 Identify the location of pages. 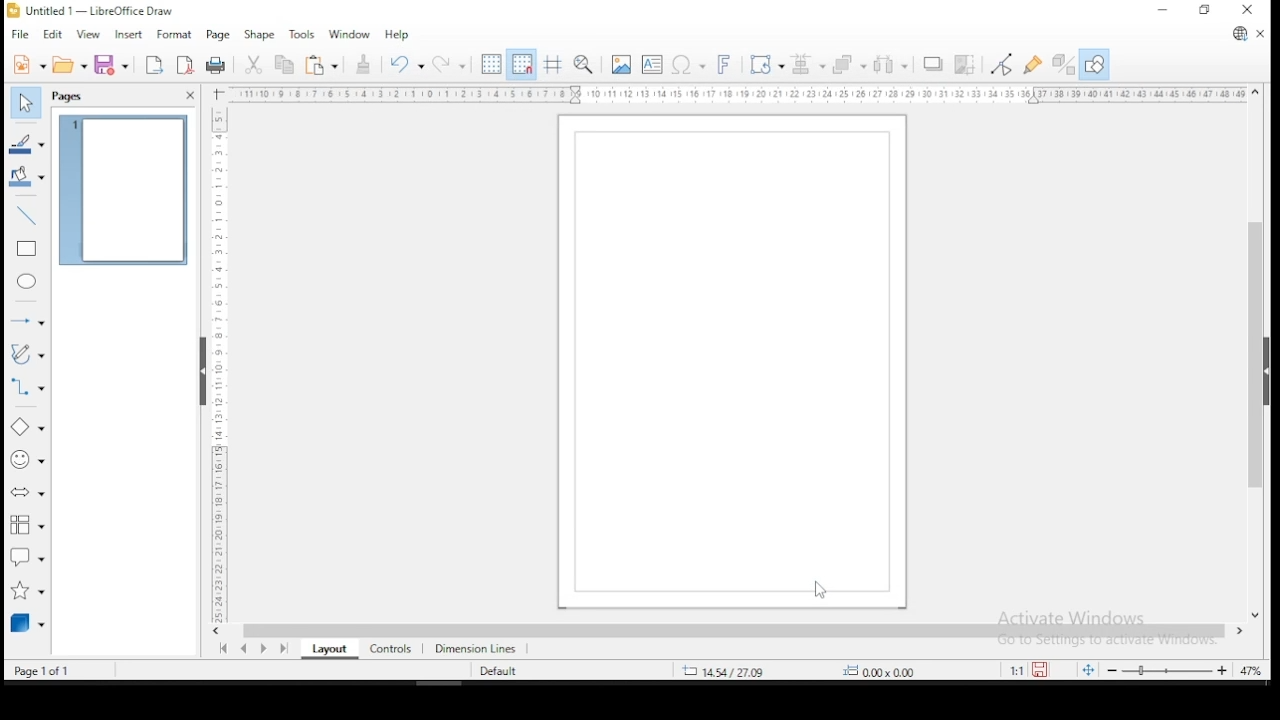
(70, 96).